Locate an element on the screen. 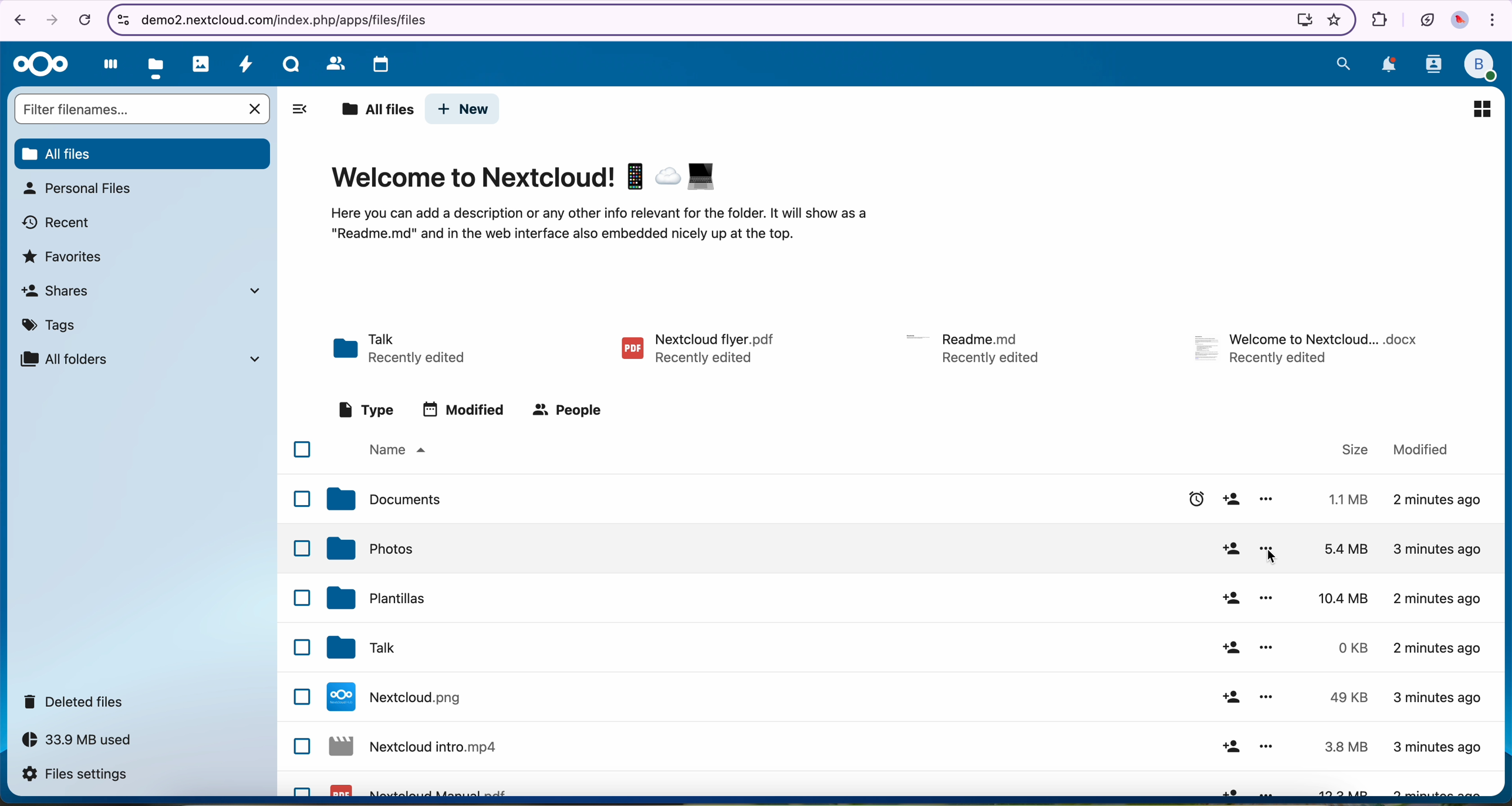 The width and height of the screenshot is (1512, 806). description of the page is located at coordinates (603, 226).